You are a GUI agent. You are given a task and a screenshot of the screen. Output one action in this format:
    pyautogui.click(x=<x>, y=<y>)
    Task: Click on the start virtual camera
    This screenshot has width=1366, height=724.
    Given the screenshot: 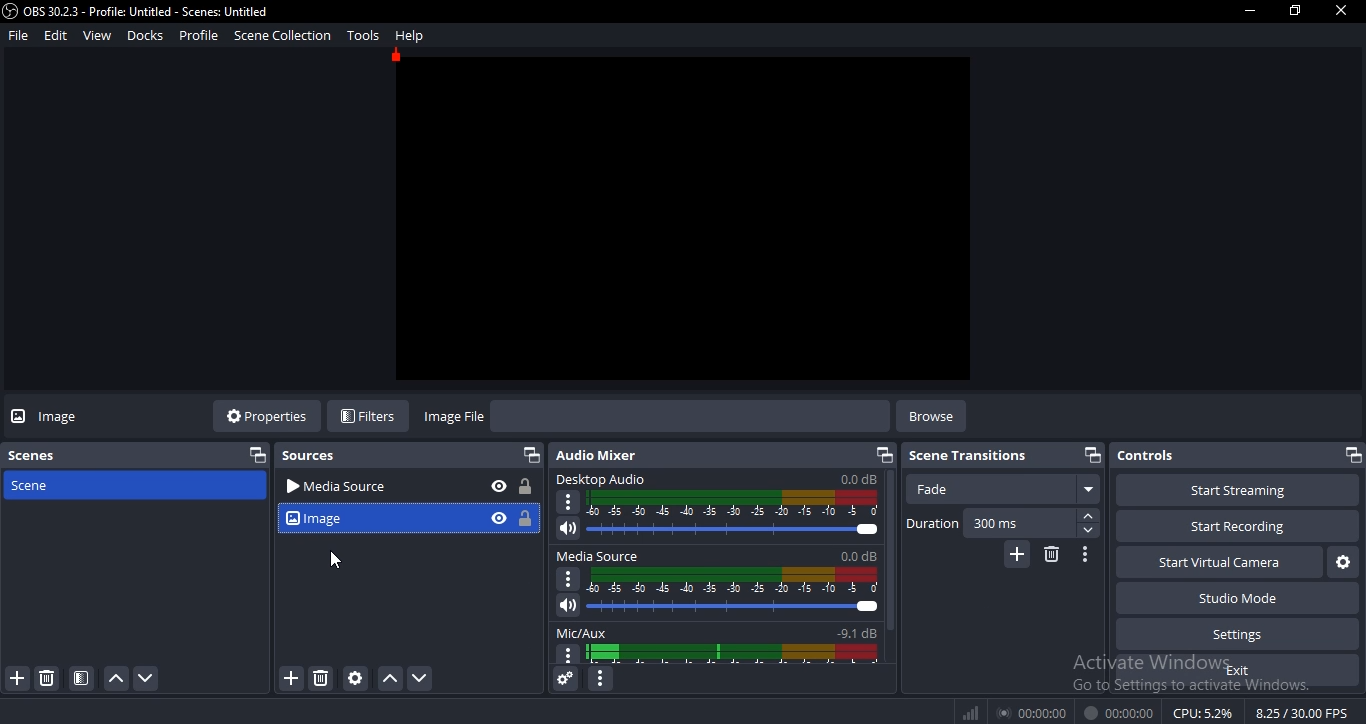 What is the action you would take?
    pyautogui.click(x=1215, y=565)
    